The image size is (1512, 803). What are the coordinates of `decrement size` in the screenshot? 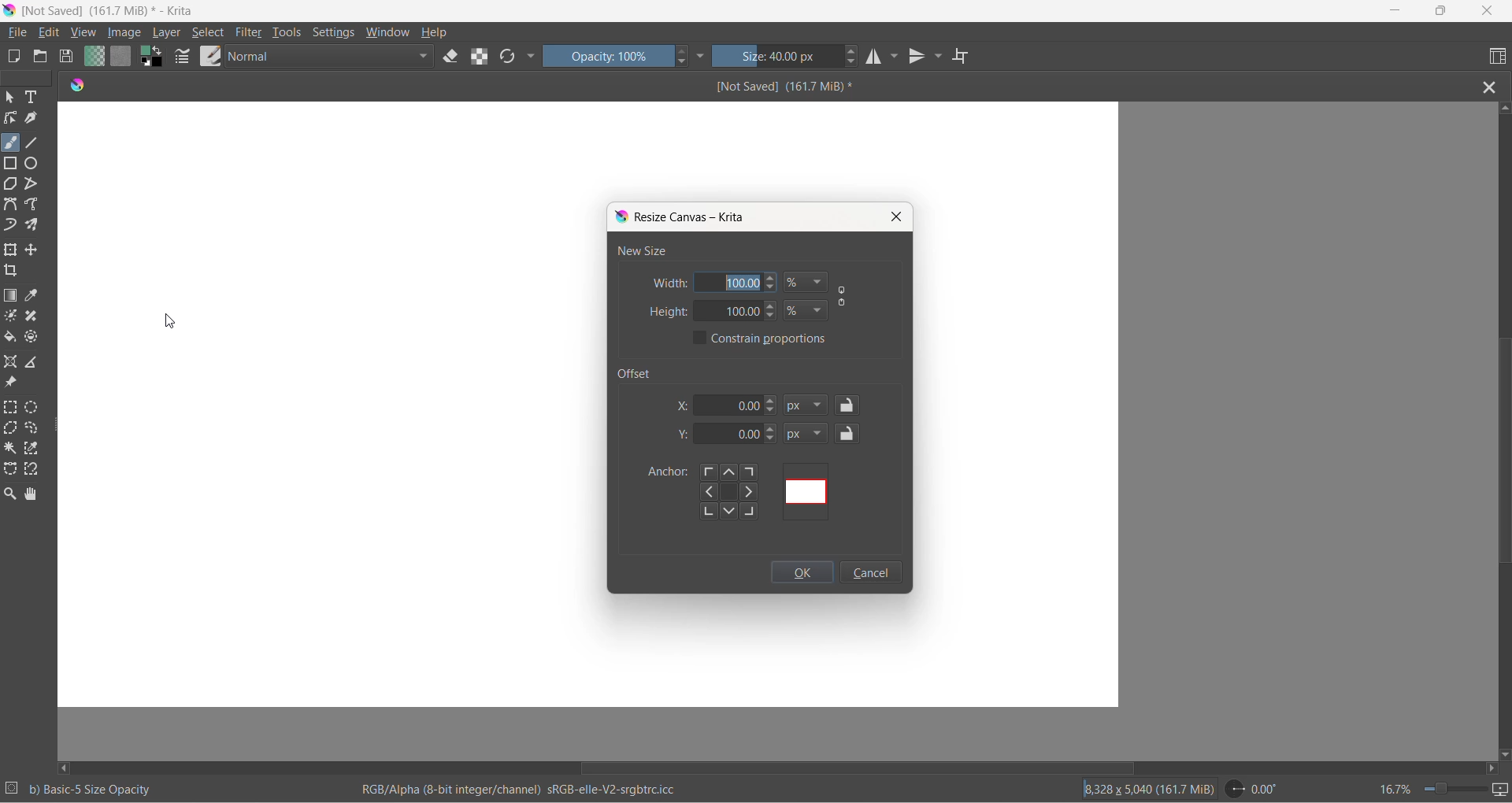 It's located at (857, 62).